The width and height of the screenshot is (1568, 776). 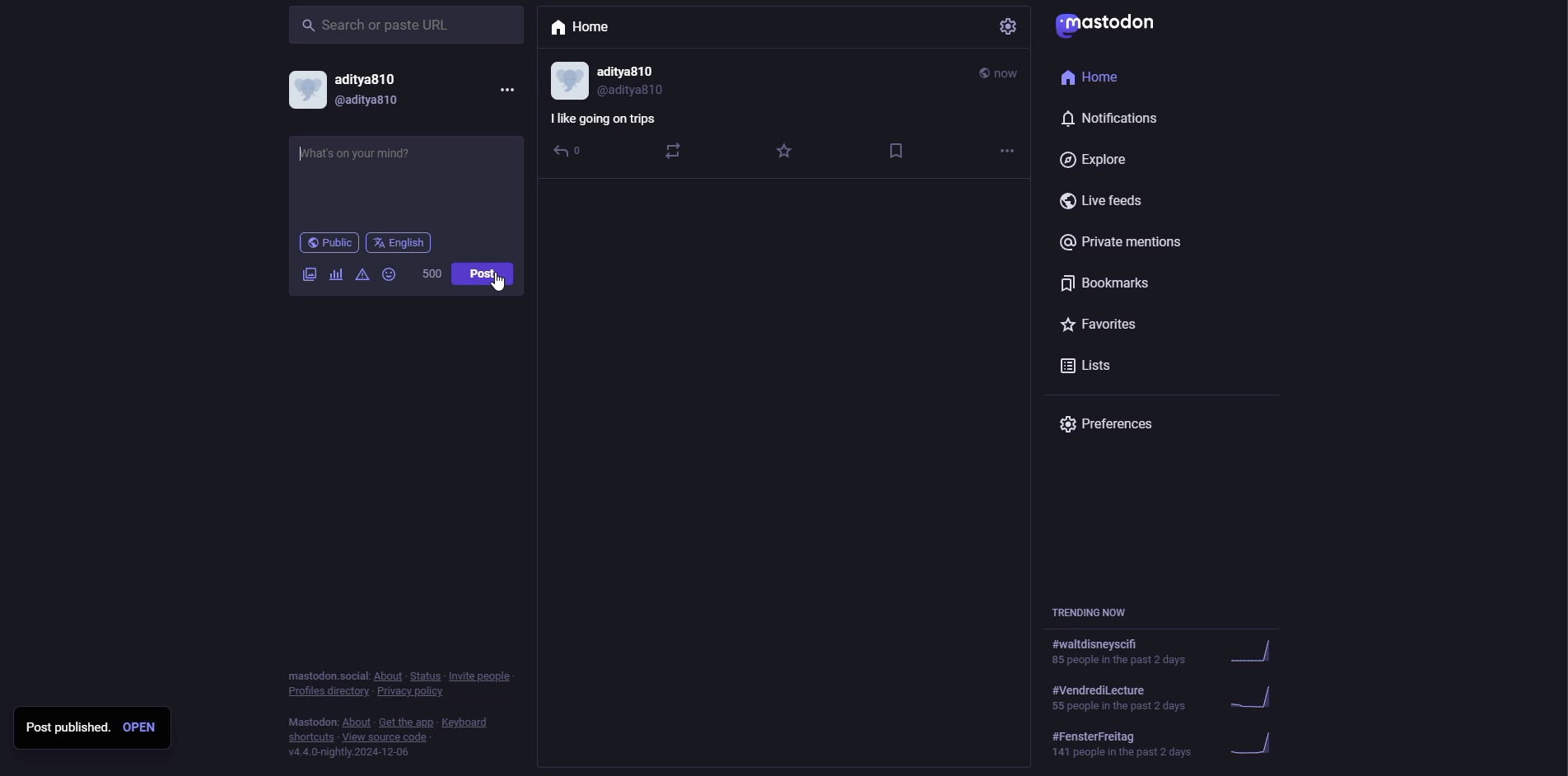 I want to click on open, so click(x=140, y=727).